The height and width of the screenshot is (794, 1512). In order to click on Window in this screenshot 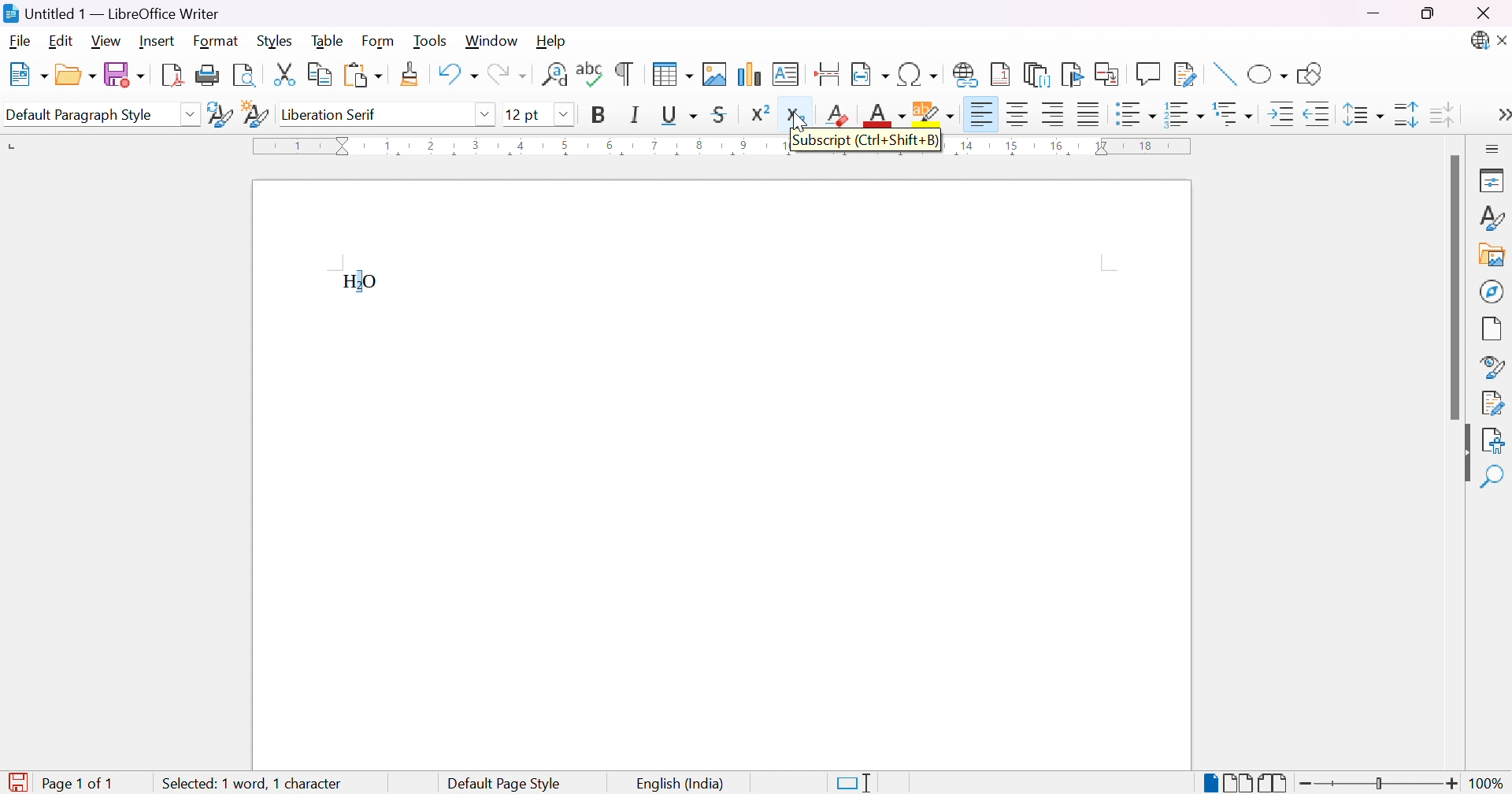, I will do `click(492, 42)`.